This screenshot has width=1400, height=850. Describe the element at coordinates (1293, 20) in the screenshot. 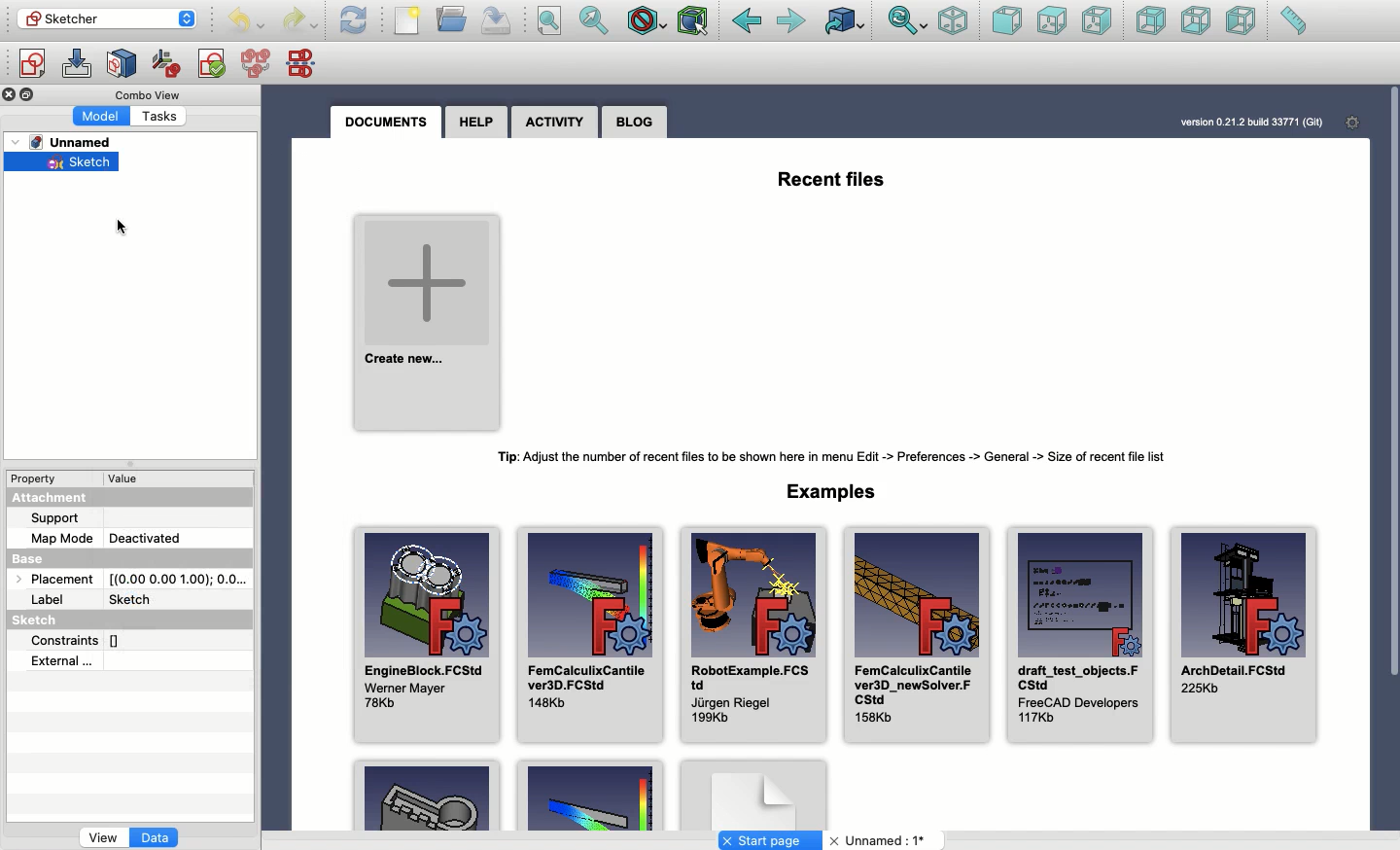

I see `Measure` at that location.